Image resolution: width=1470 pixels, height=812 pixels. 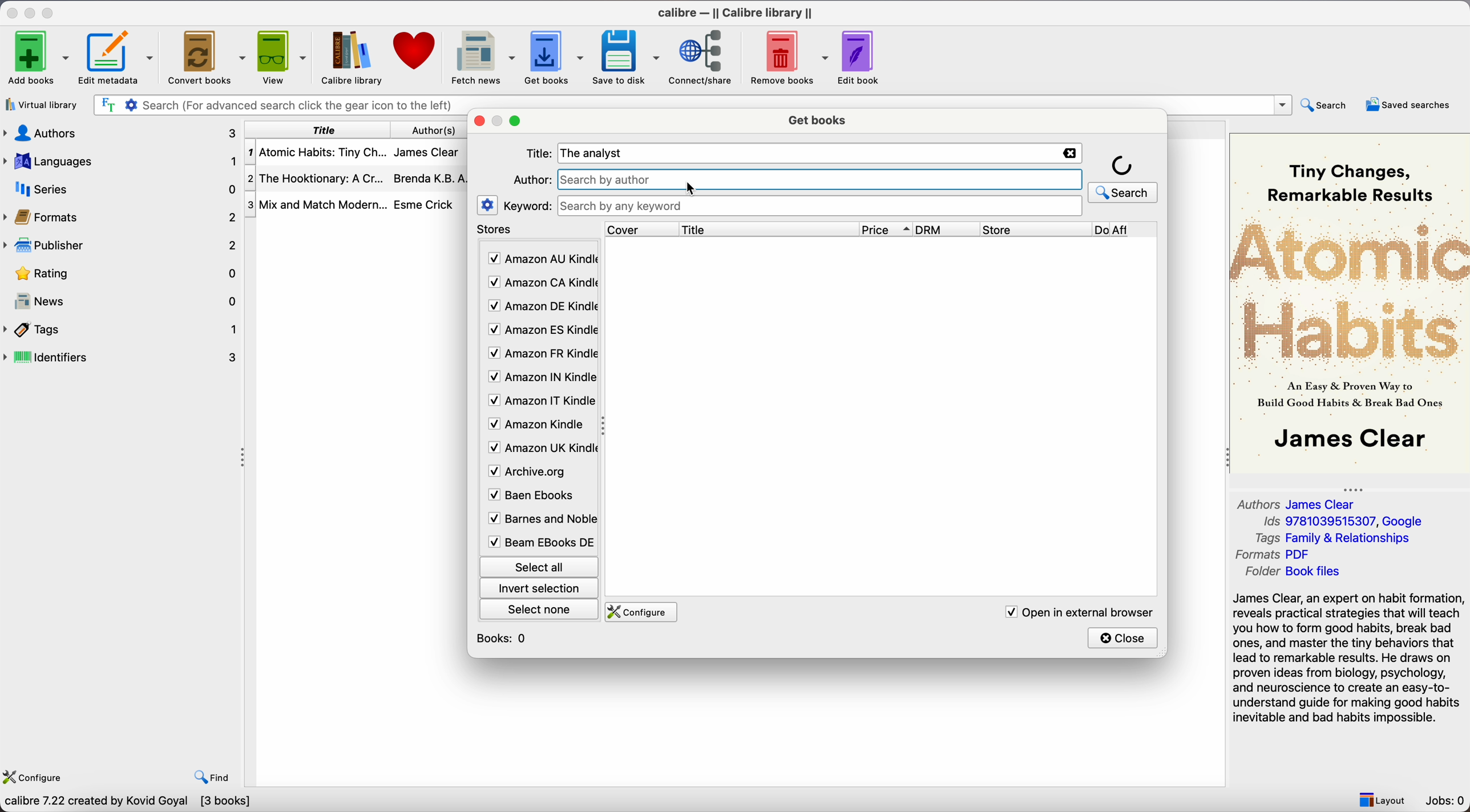 I want to click on tags, so click(x=122, y=329).